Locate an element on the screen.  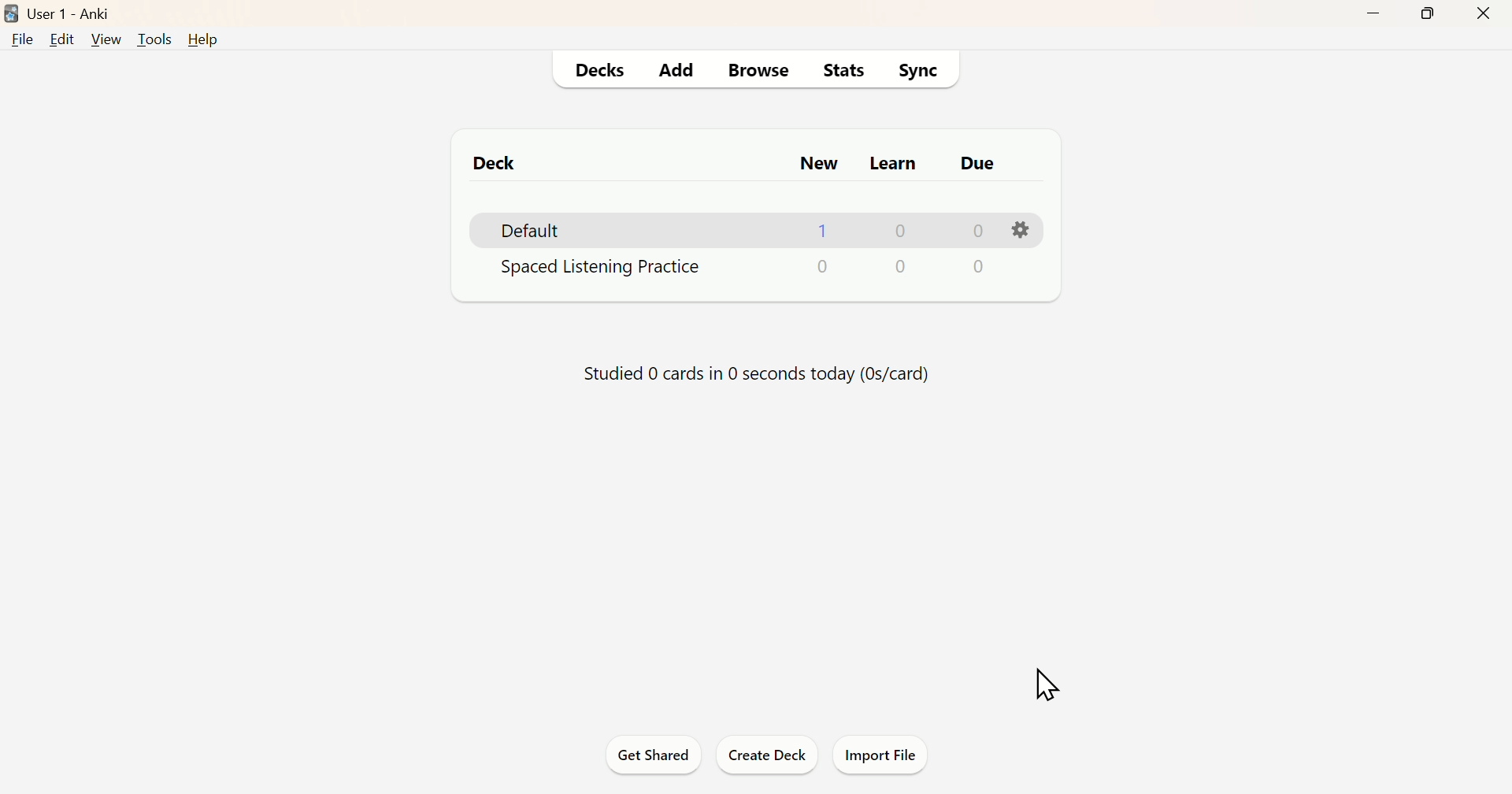
View is located at coordinates (104, 40).